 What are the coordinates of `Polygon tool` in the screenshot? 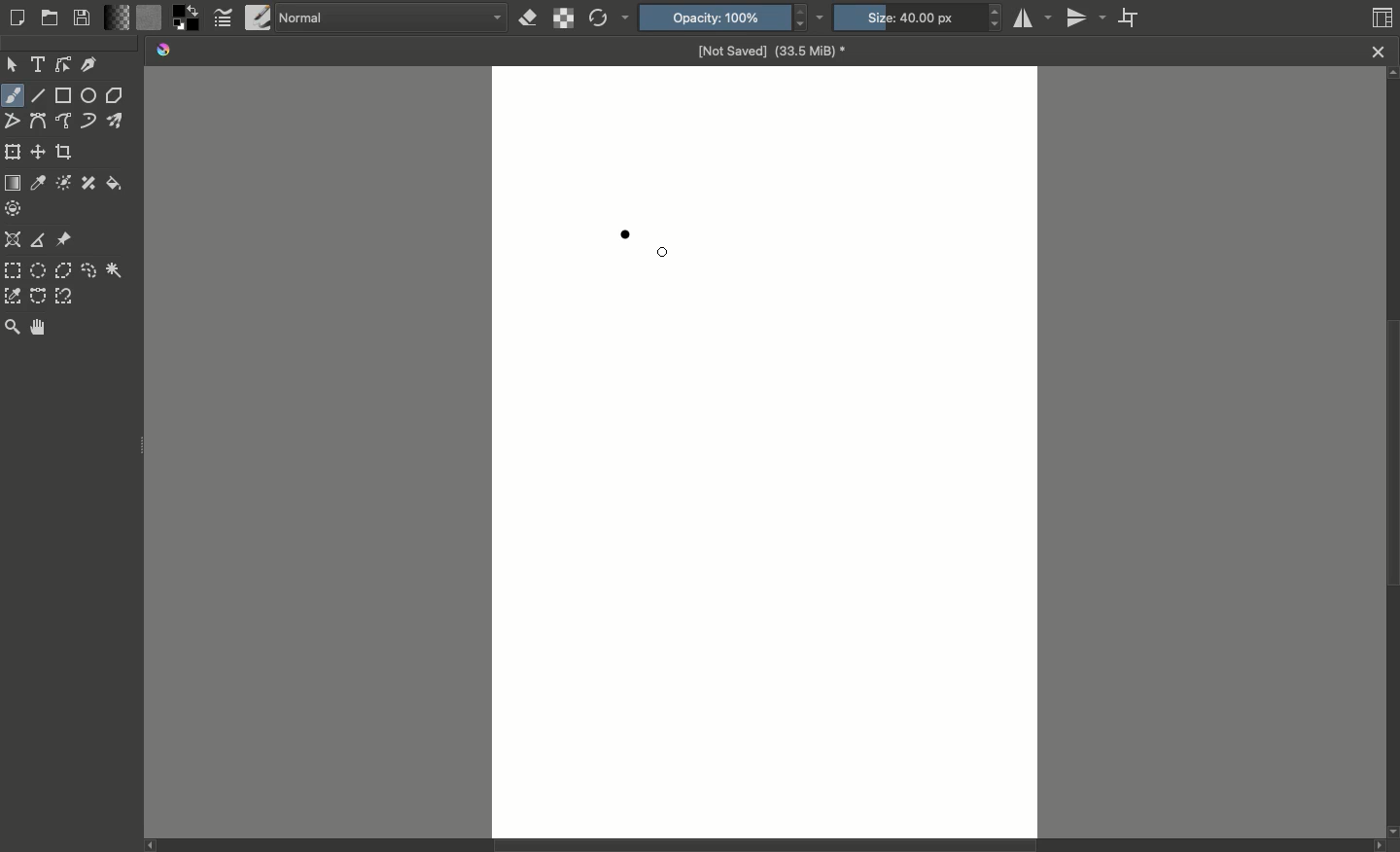 It's located at (116, 95).